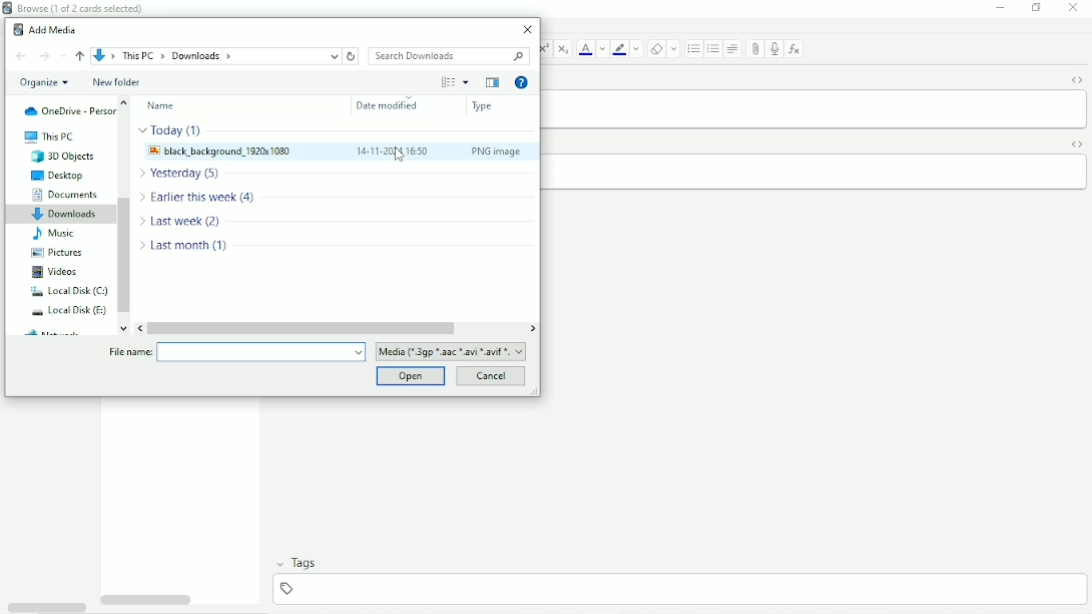  Describe the element at coordinates (181, 174) in the screenshot. I see `file modified Yesterday (5)` at that location.